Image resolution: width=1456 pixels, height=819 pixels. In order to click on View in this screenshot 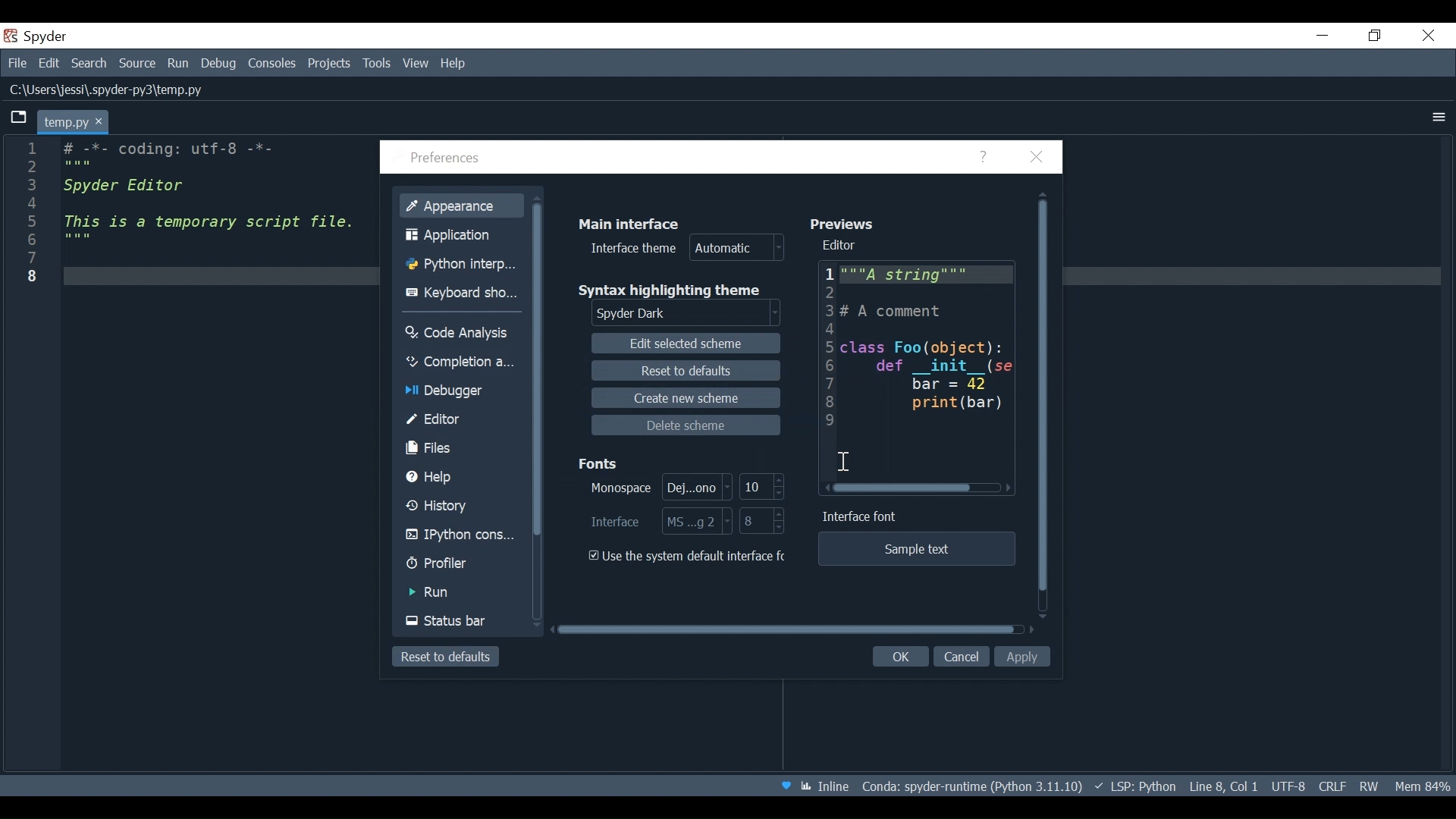, I will do `click(416, 63)`.